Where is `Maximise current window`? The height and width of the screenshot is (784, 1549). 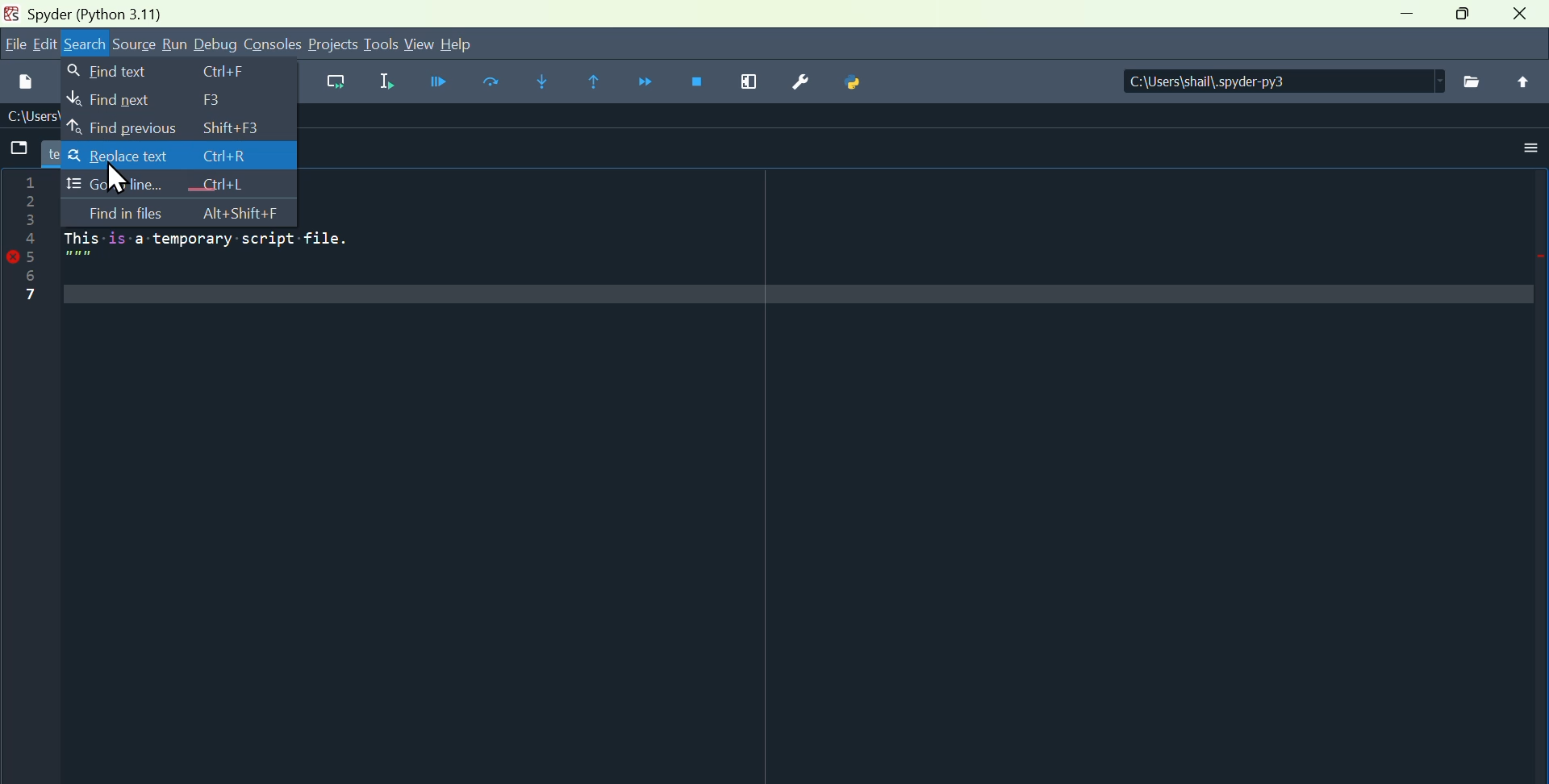
Maximise current window is located at coordinates (744, 85).